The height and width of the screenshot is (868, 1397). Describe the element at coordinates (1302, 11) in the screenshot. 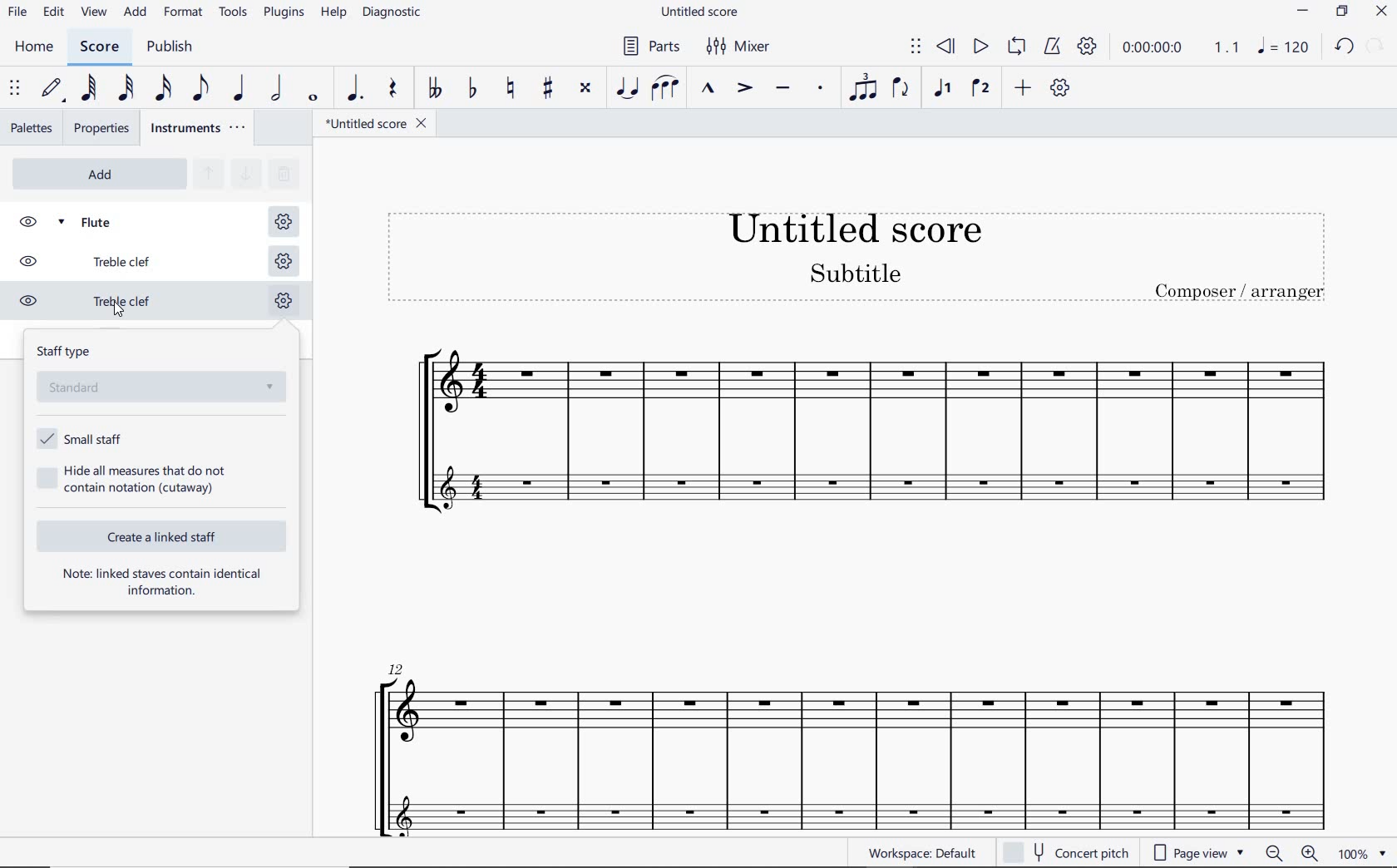

I see `minimize` at that location.